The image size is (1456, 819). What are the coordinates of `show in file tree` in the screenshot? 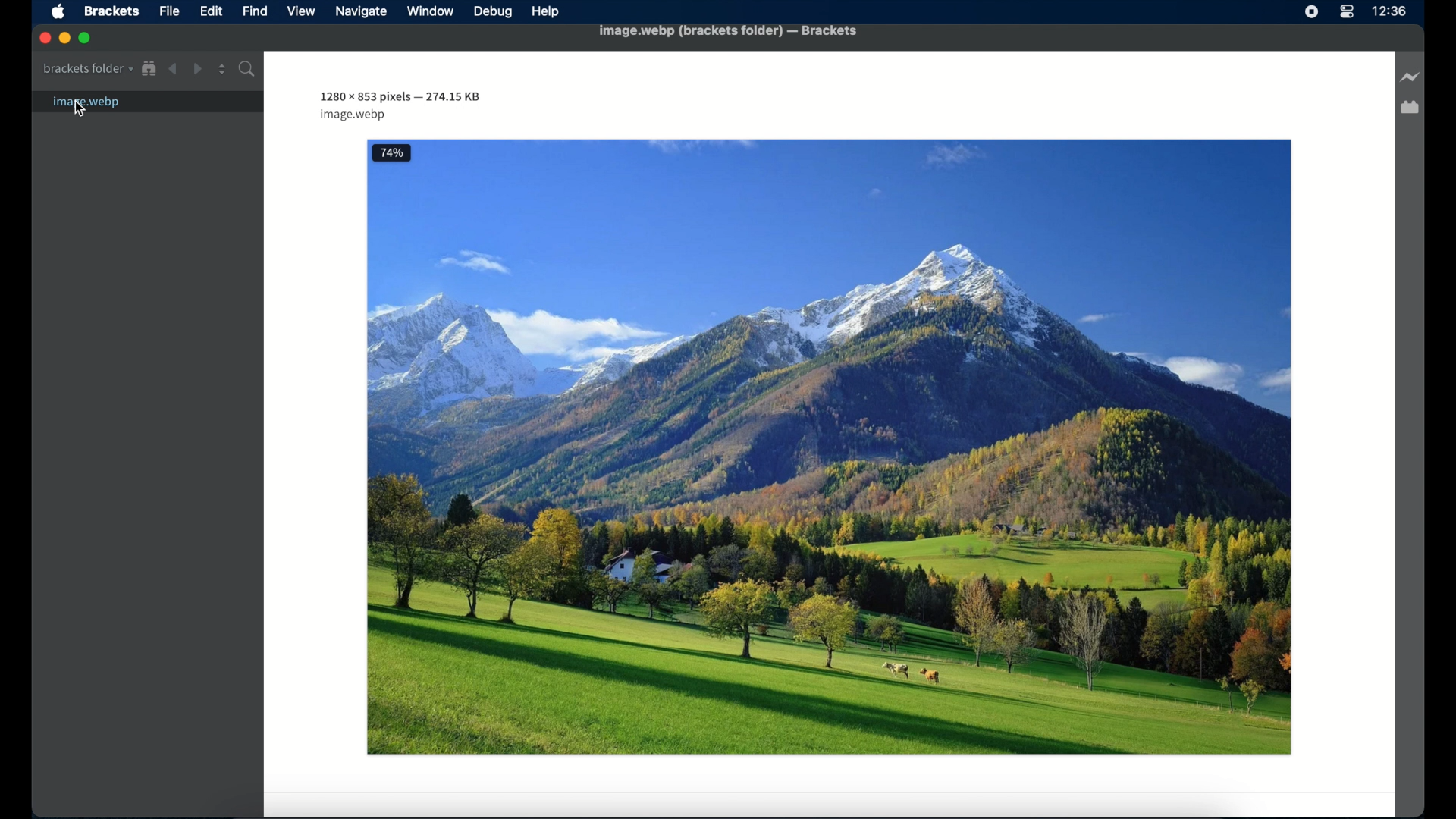 It's located at (149, 69).